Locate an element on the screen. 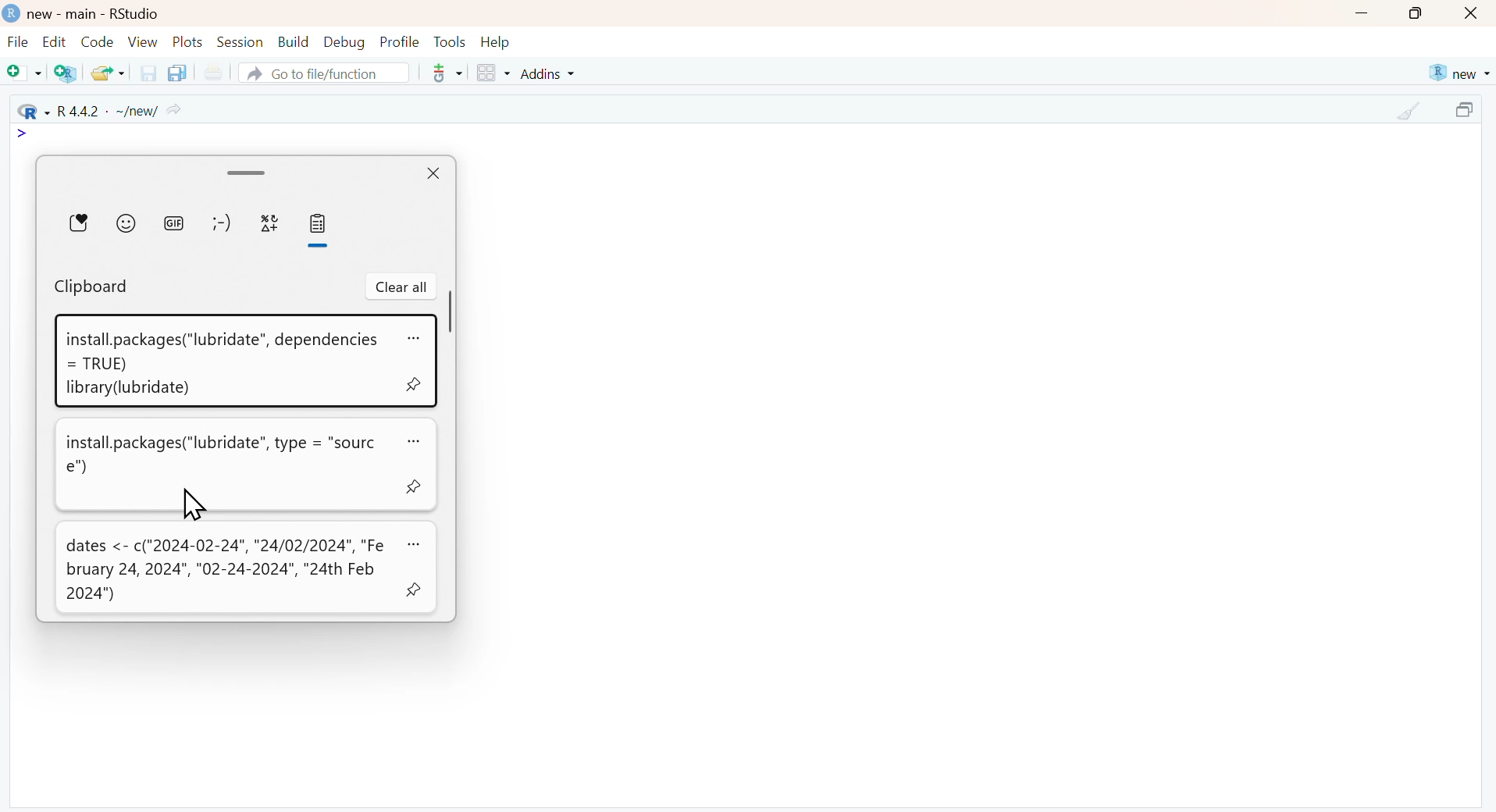 The image size is (1496, 812). new - main - RStudio is located at coordinates (95, 14).